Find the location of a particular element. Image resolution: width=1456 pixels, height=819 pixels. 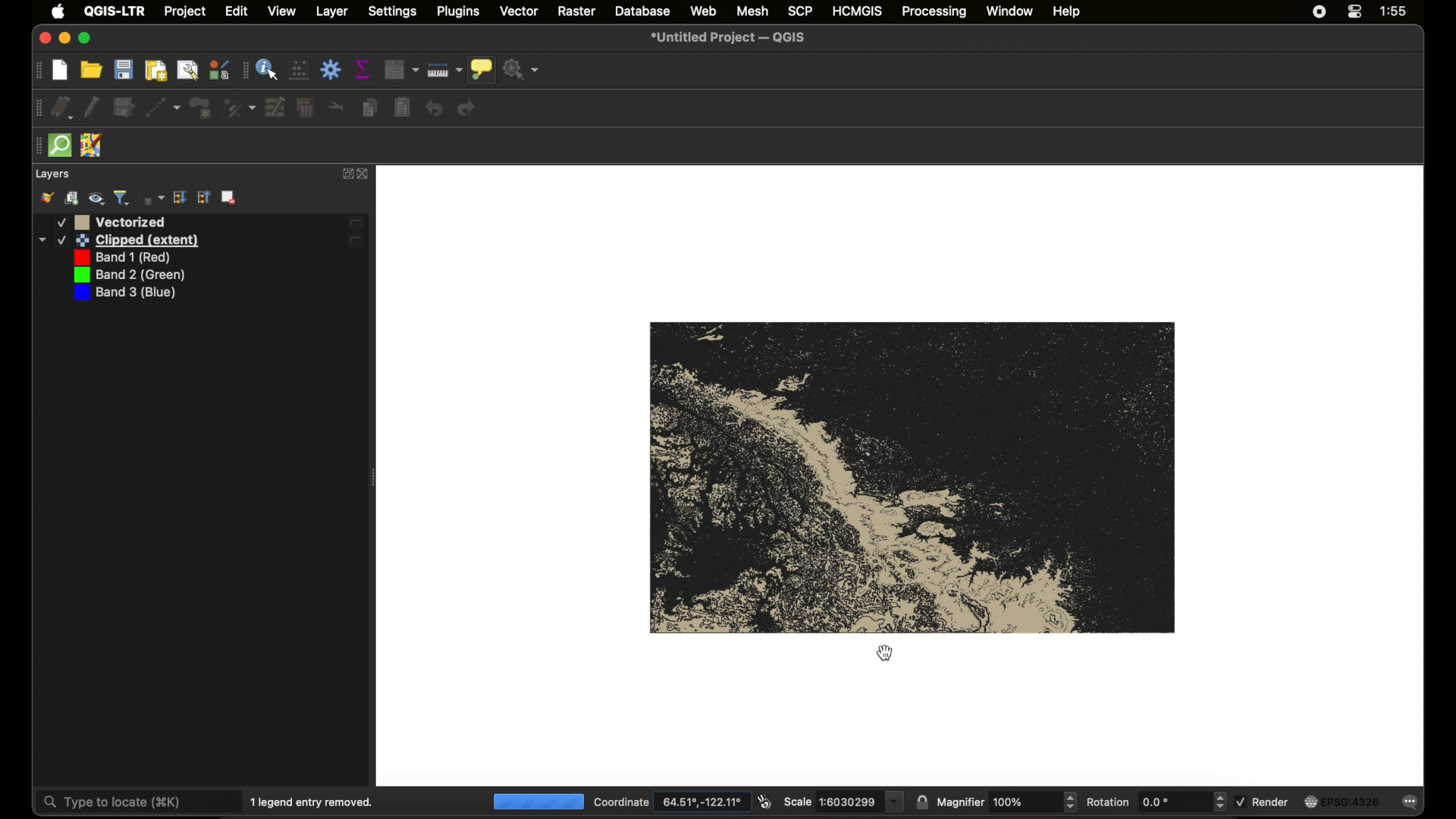

no action selected is located at coordinates (522, 70).